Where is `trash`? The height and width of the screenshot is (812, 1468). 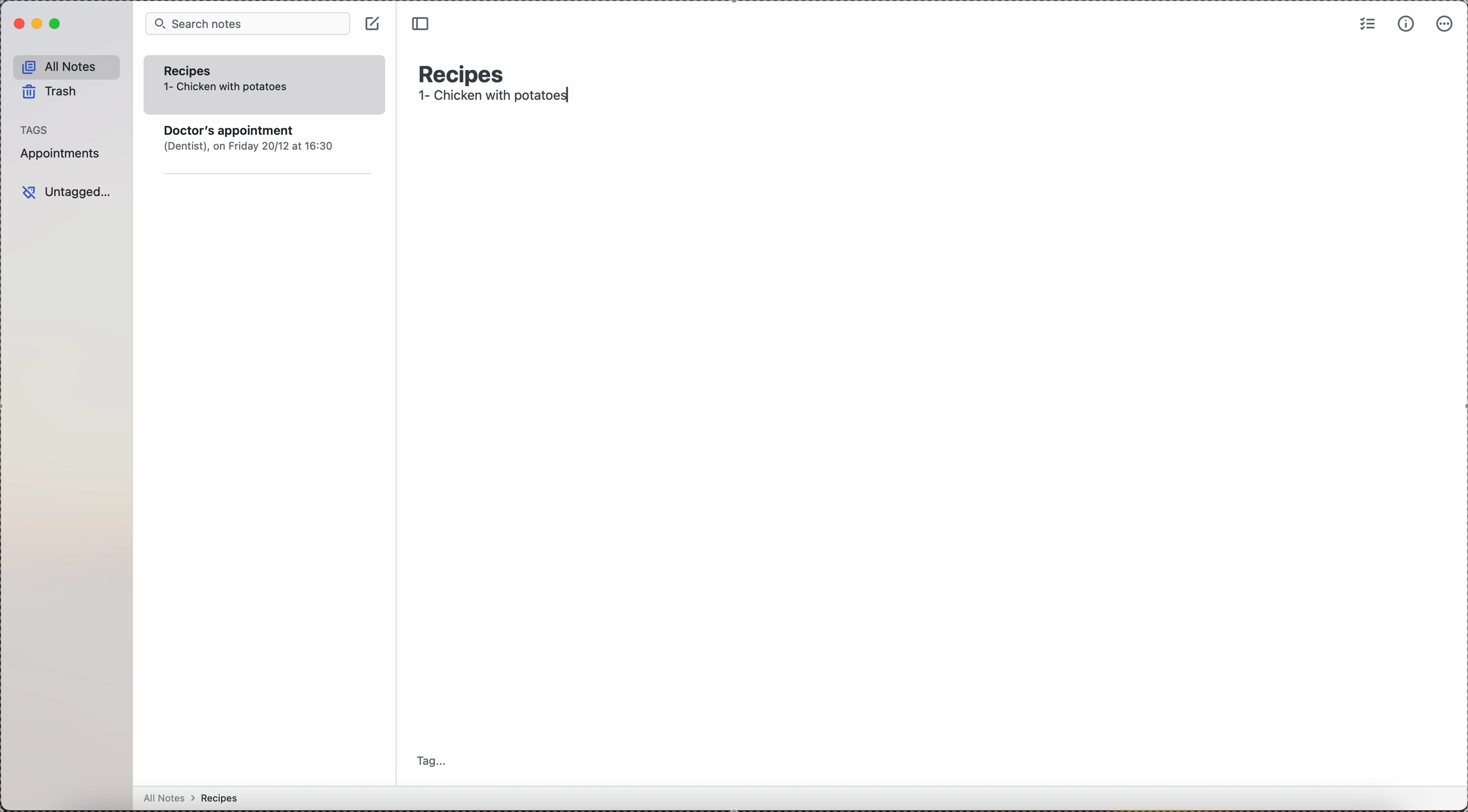
trash is located at coordinates (56, 91).